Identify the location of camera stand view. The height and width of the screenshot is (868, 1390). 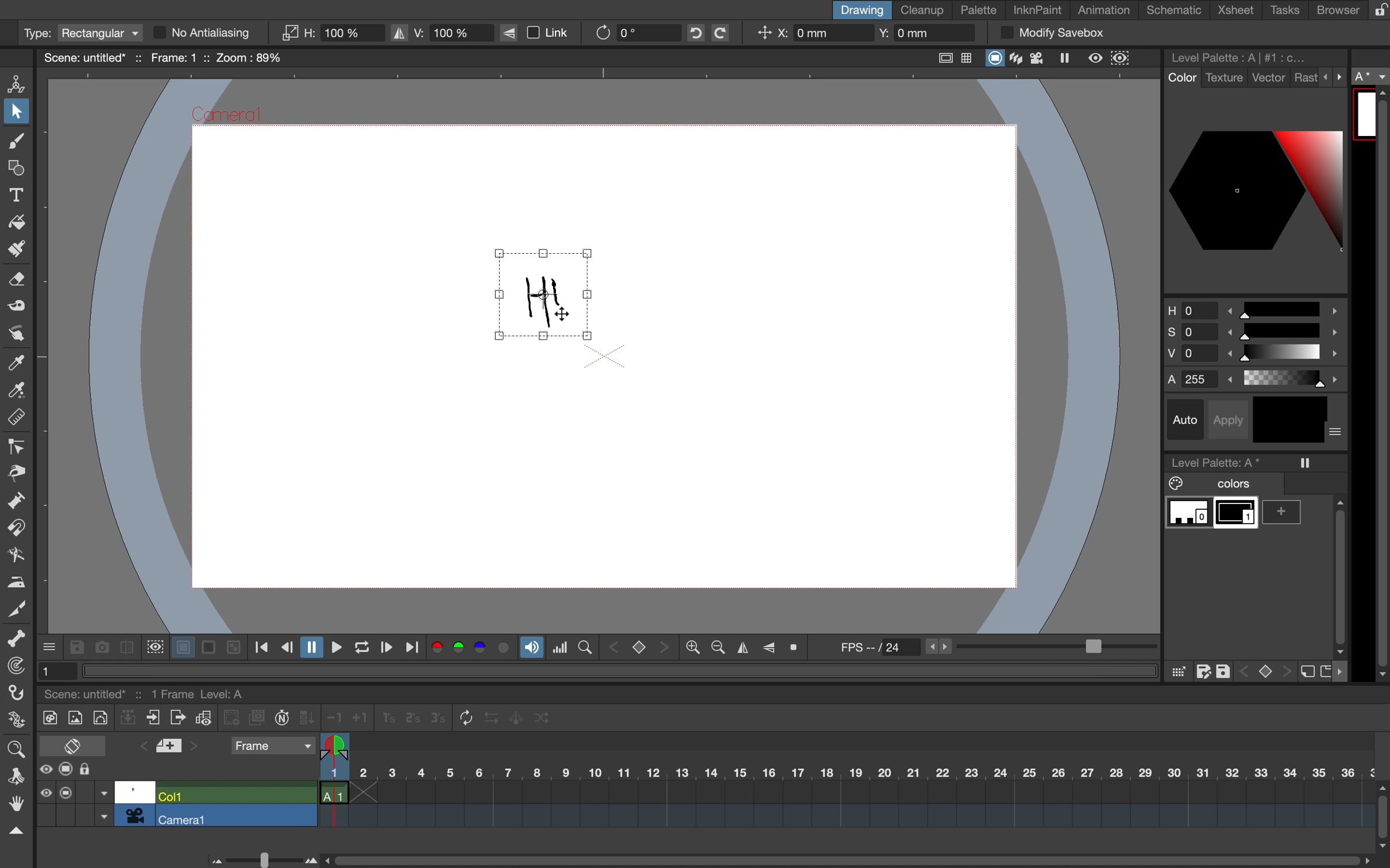
(993, 59).